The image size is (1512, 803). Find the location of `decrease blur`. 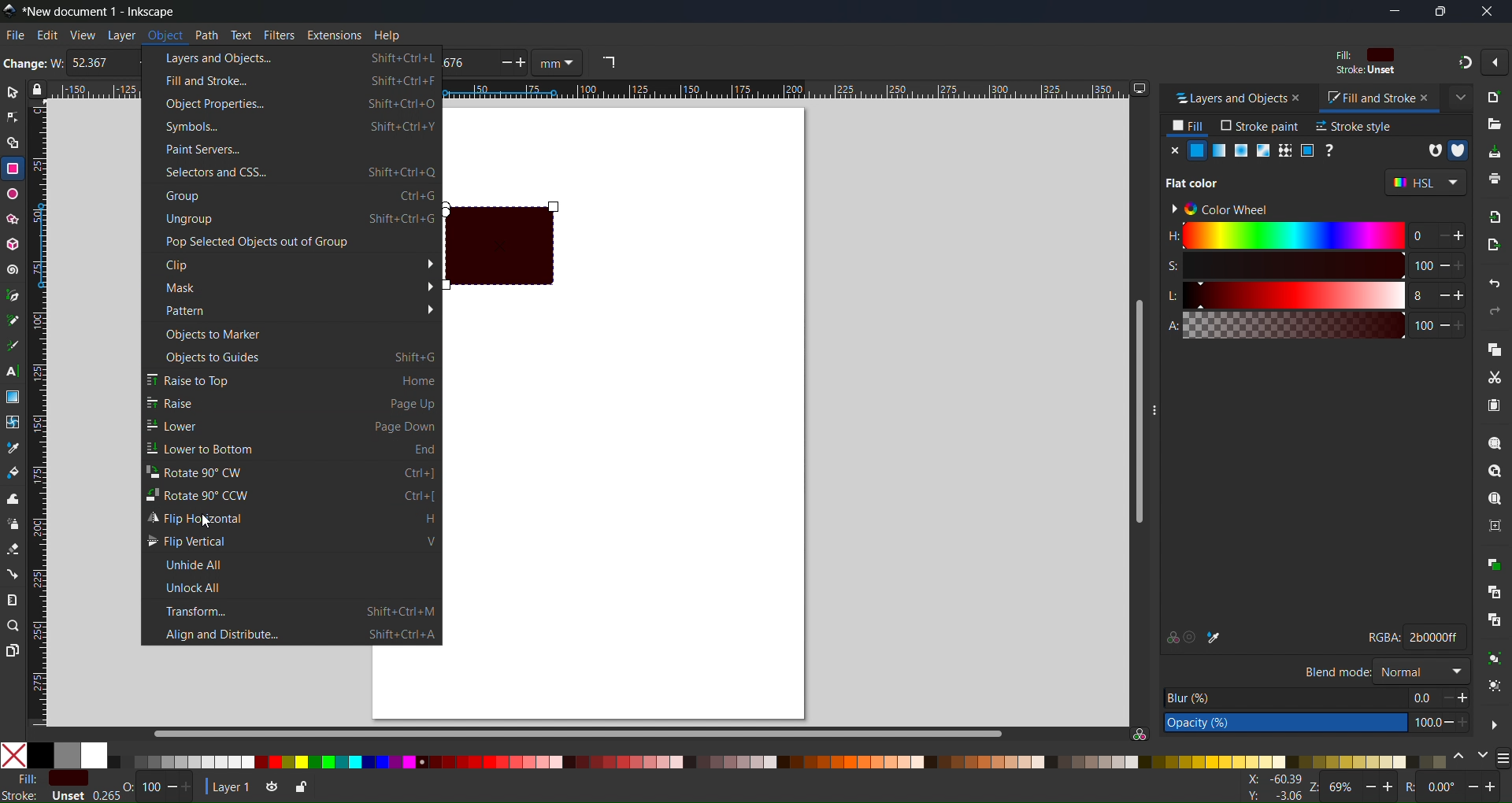

decrease blur is located at coordinates (1442, 697).